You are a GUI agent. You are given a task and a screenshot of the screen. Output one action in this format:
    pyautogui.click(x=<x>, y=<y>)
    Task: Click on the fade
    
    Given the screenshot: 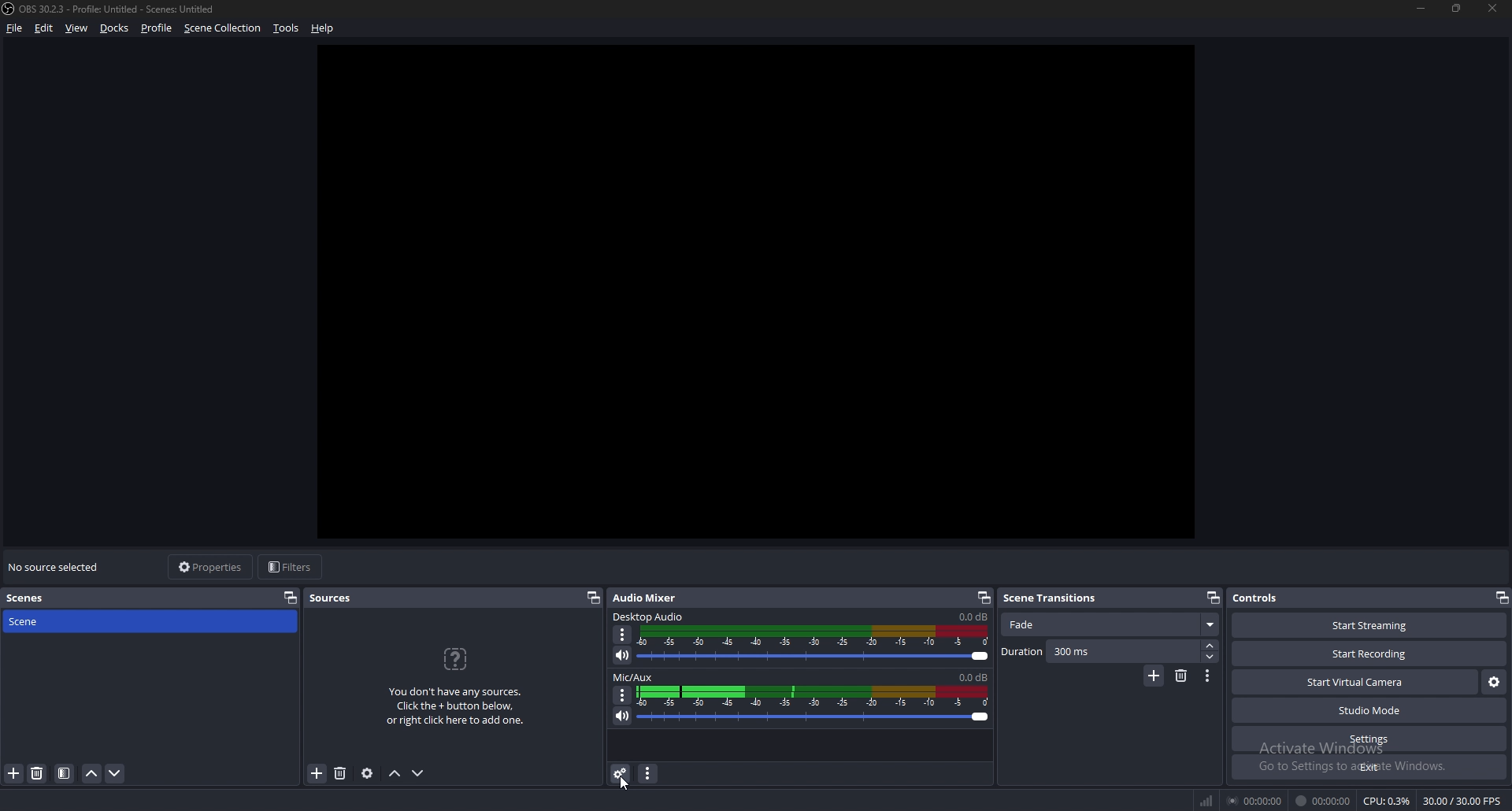 What is the action you would take?
    pyautogui.click(x=1109, y=625)
    